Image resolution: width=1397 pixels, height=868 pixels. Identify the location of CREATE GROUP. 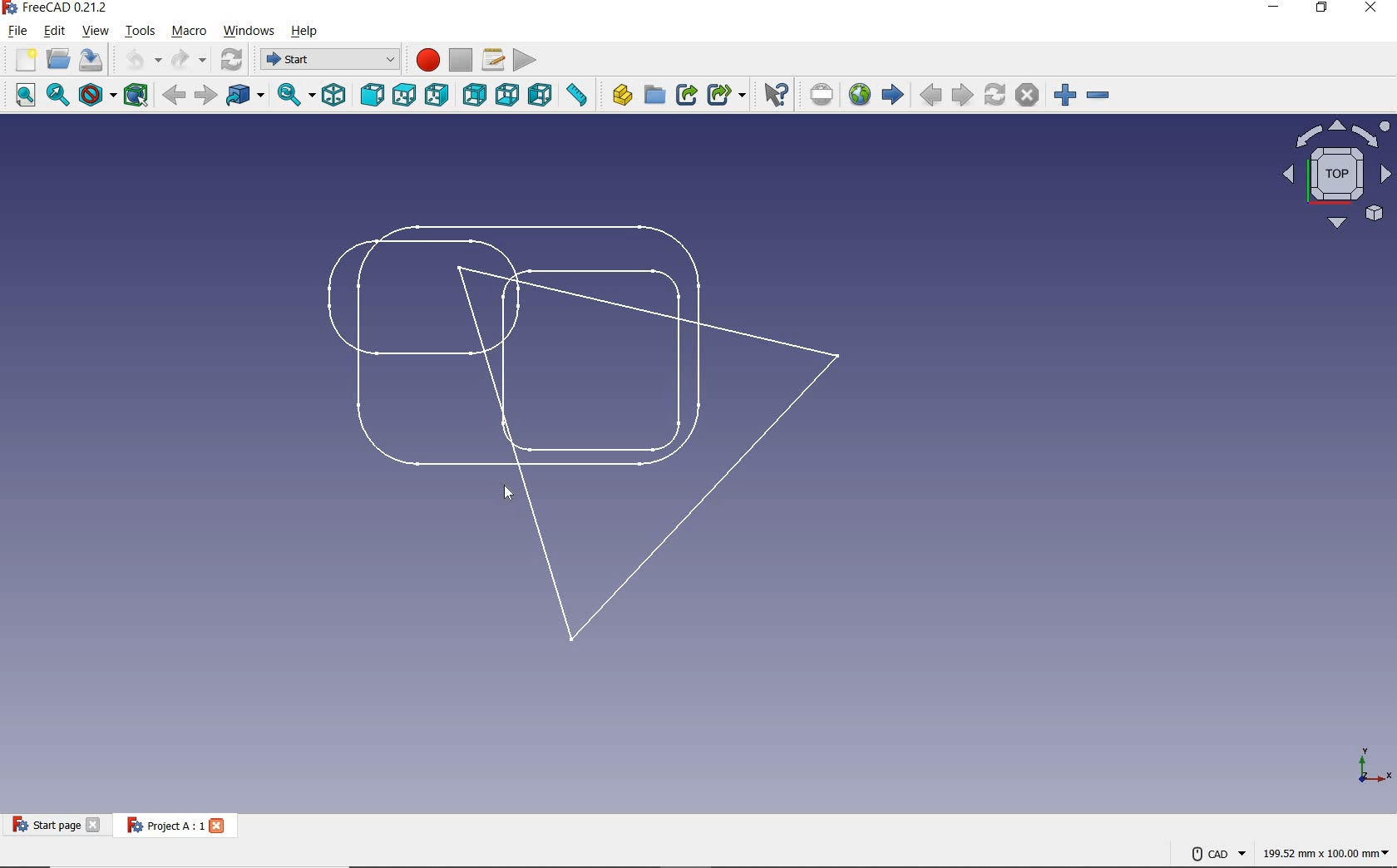
(655, 96).